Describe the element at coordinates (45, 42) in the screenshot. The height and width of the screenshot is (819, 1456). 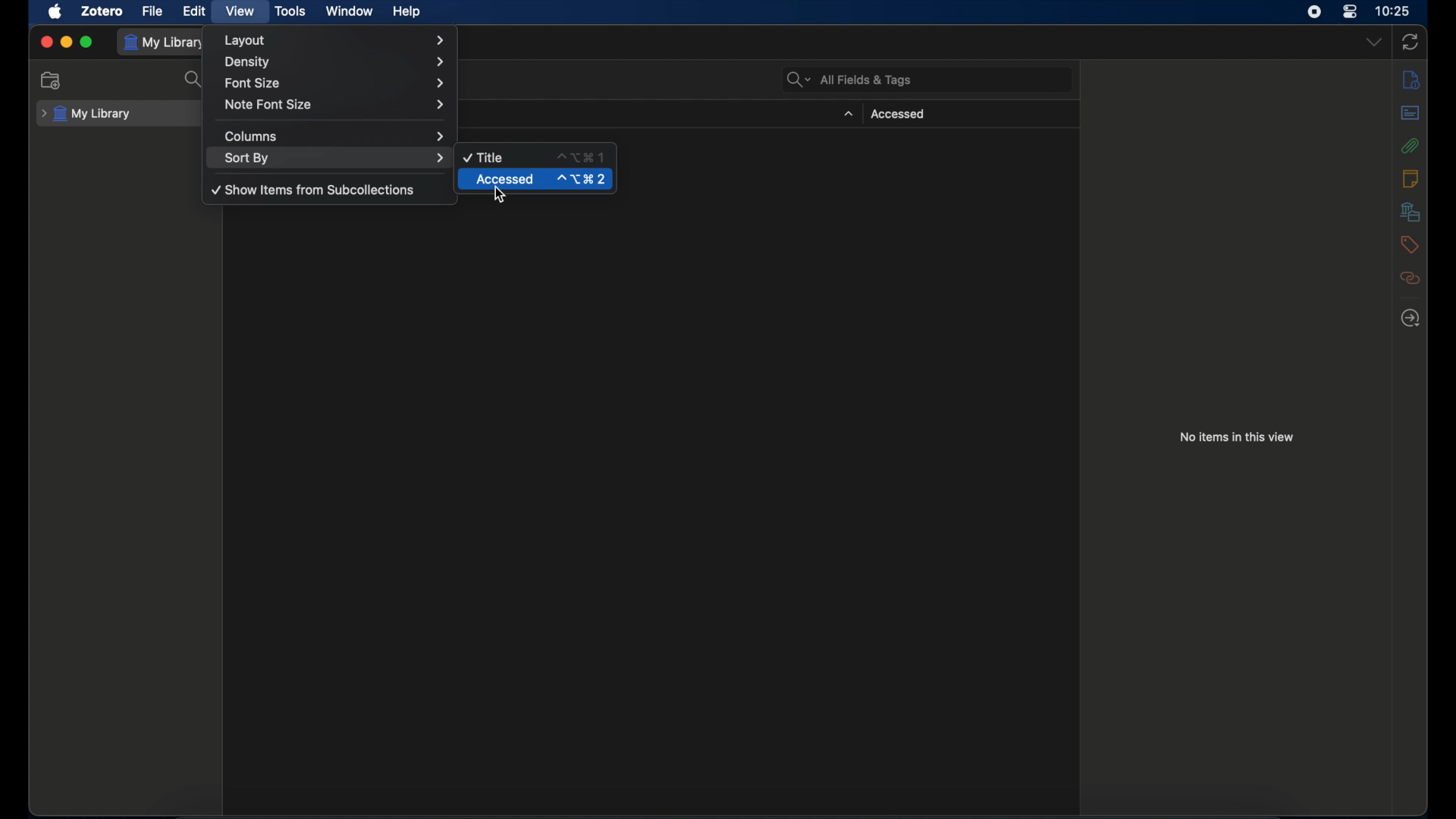
I see `close` at that location.